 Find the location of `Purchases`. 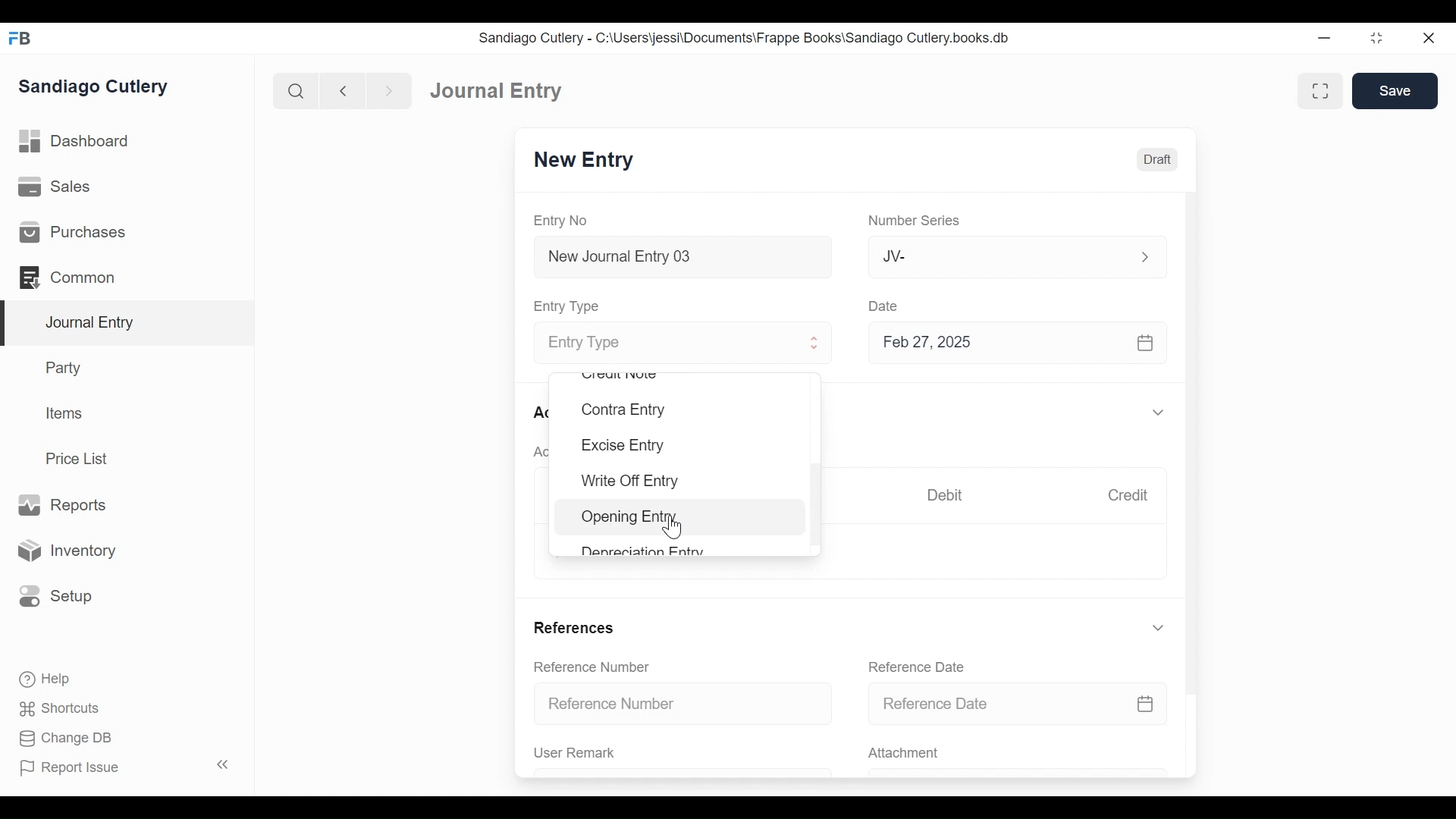

Purchases is located at coordinates (75, 232).